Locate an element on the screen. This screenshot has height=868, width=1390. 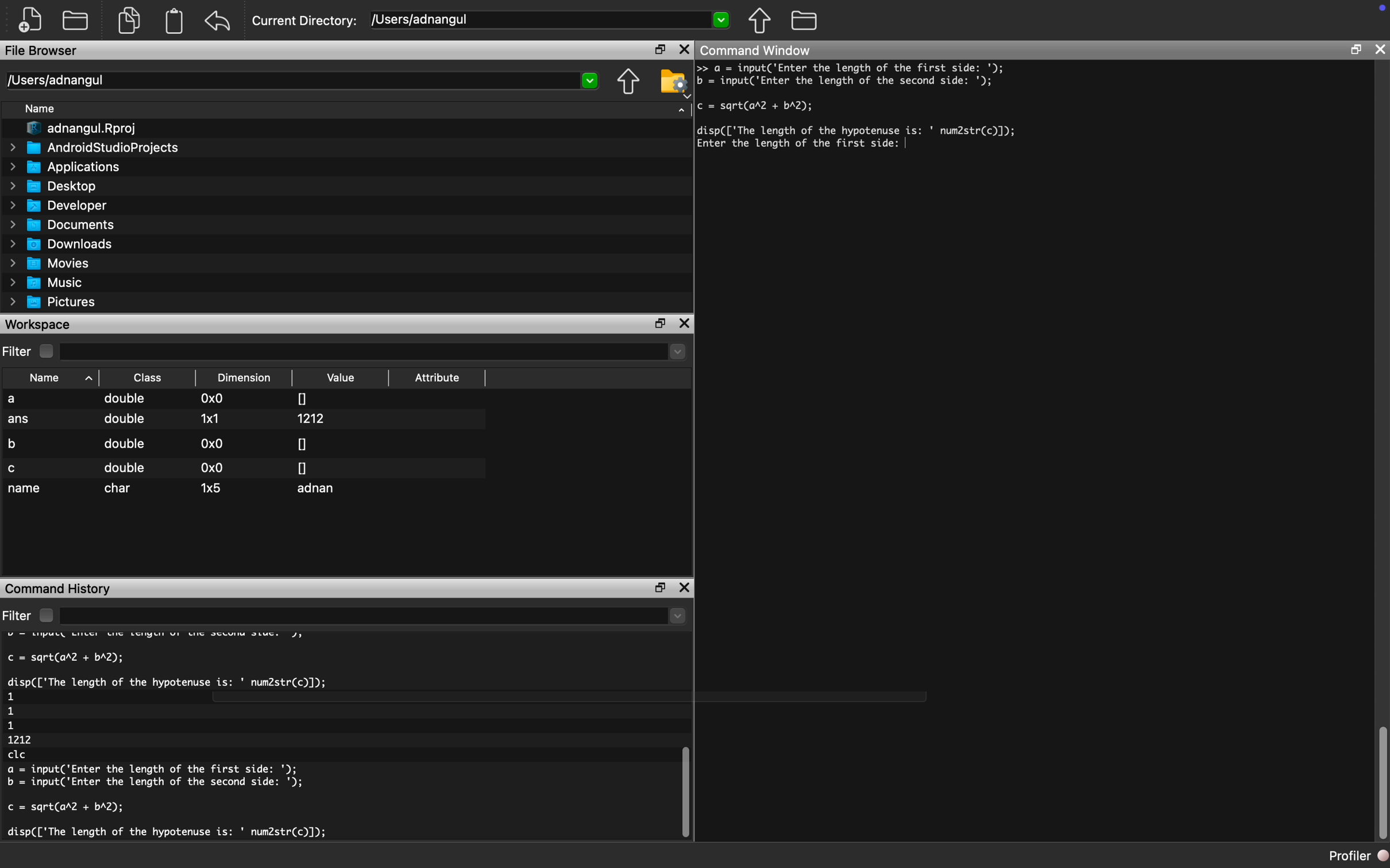
filter is located at coordinates (17, 615).